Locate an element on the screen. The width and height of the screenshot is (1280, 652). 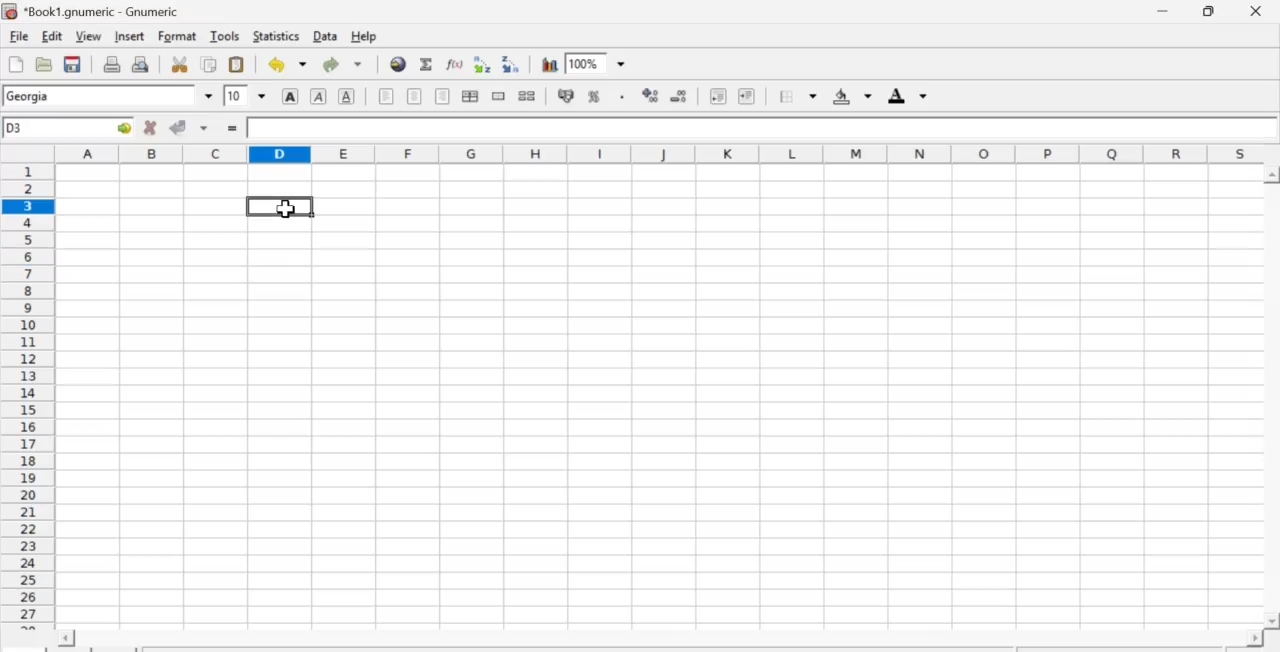
Underground is located at coordinates (346, 96).